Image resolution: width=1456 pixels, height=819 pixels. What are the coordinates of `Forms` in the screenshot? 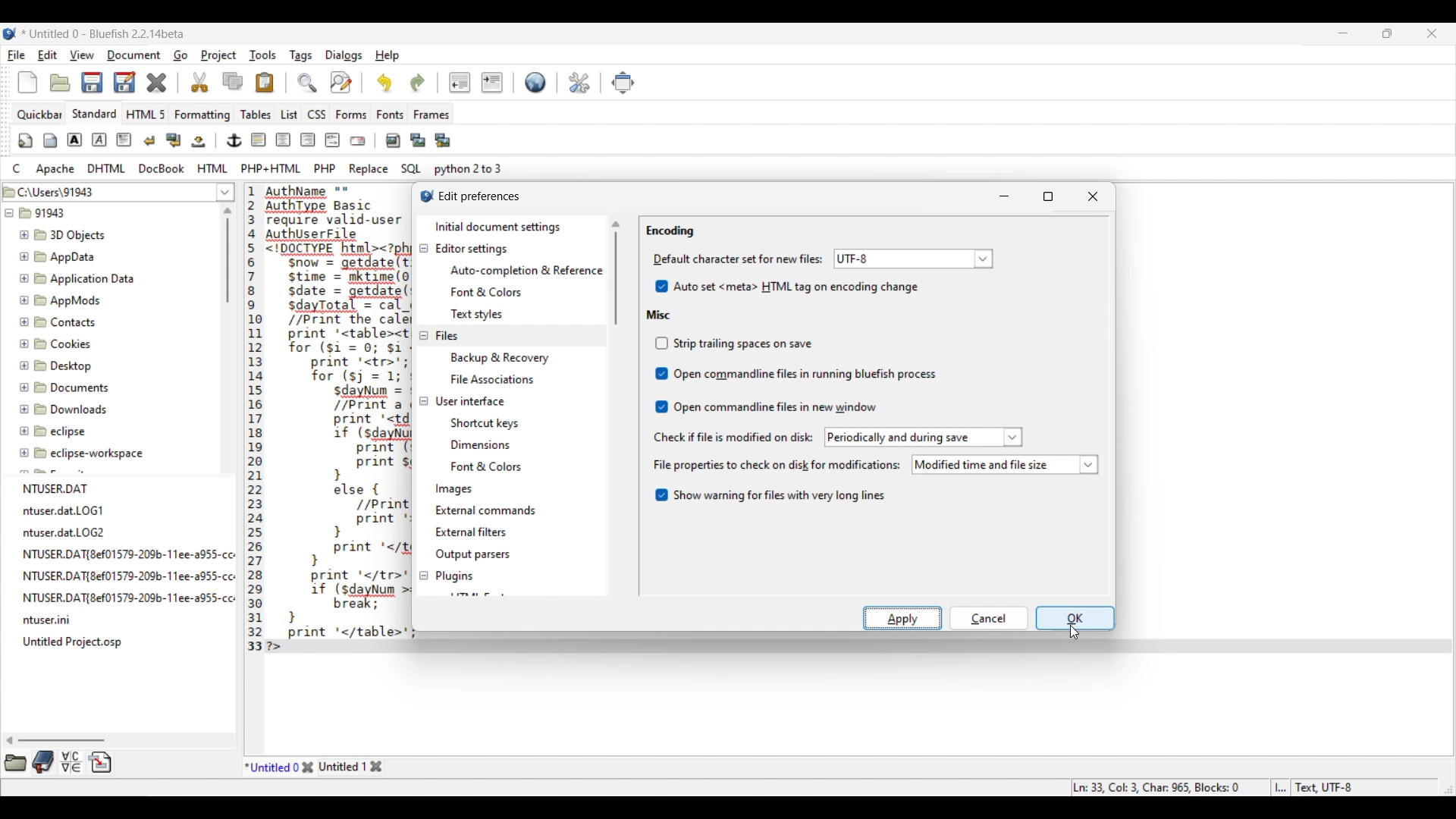 It's located at (352, 115).